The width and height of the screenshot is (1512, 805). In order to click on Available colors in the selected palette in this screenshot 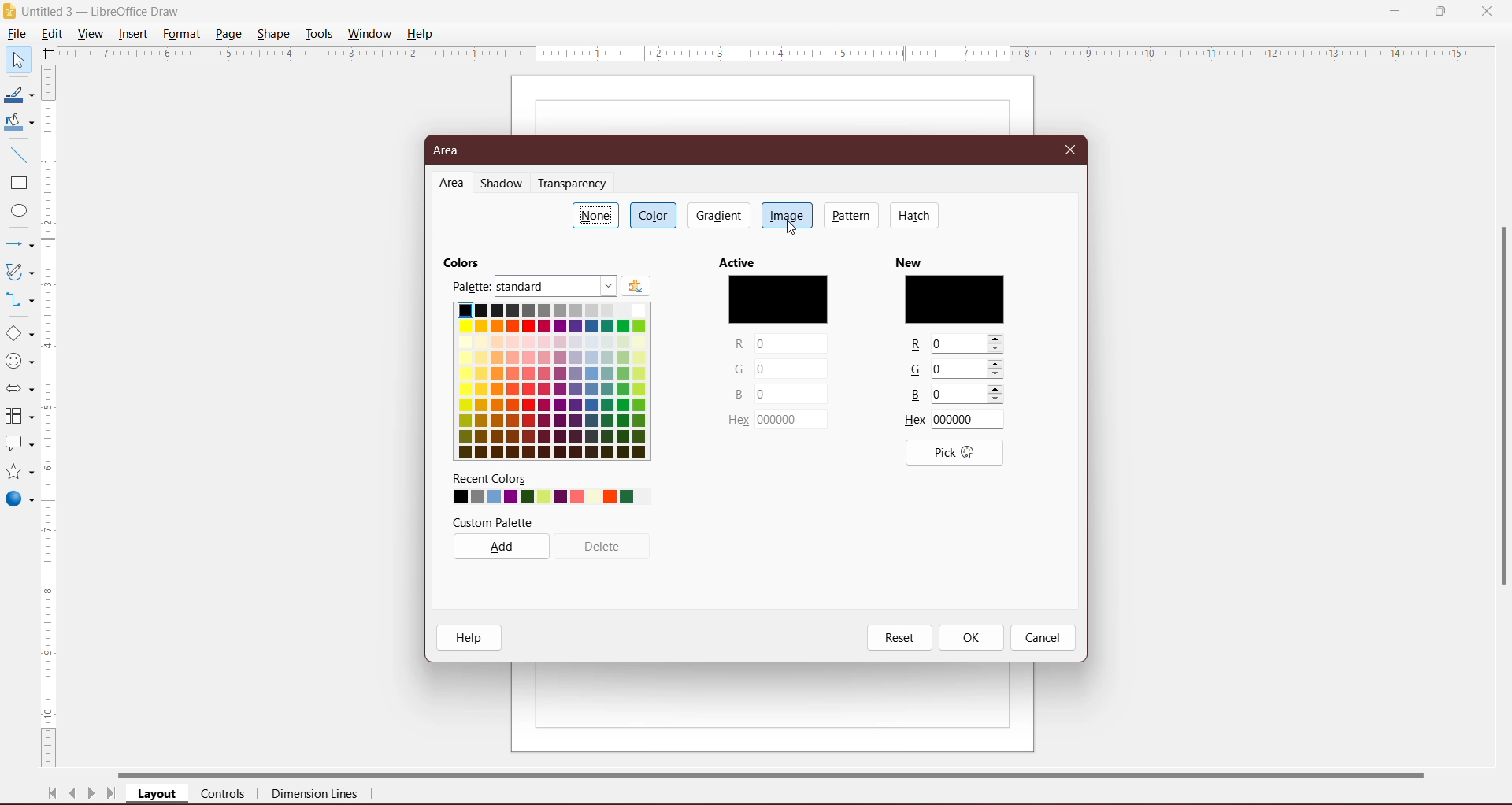, I will do `click(550, 384)`.